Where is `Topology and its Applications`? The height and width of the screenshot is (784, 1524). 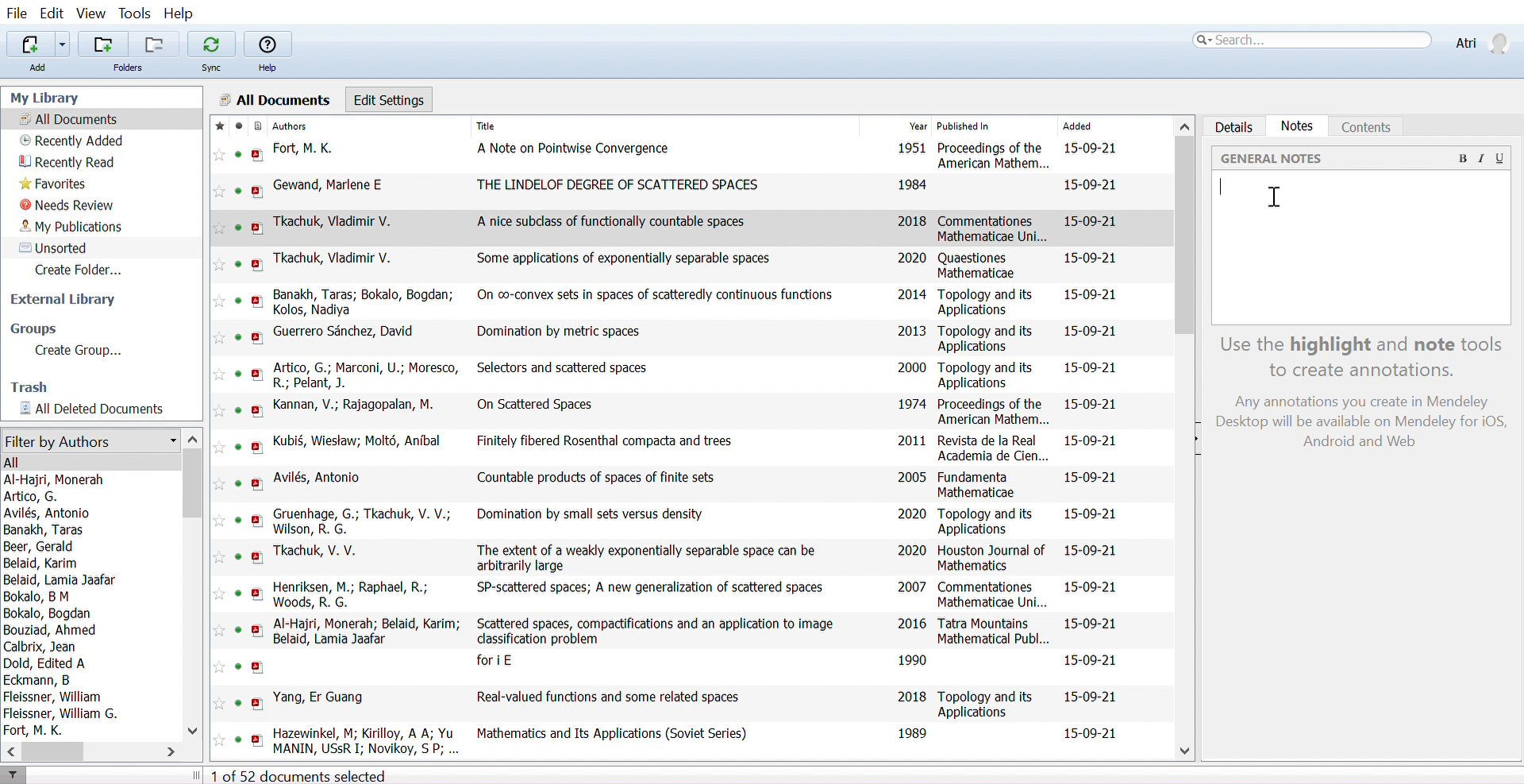
Topology and its Applications is located at coordinates (987, 375).